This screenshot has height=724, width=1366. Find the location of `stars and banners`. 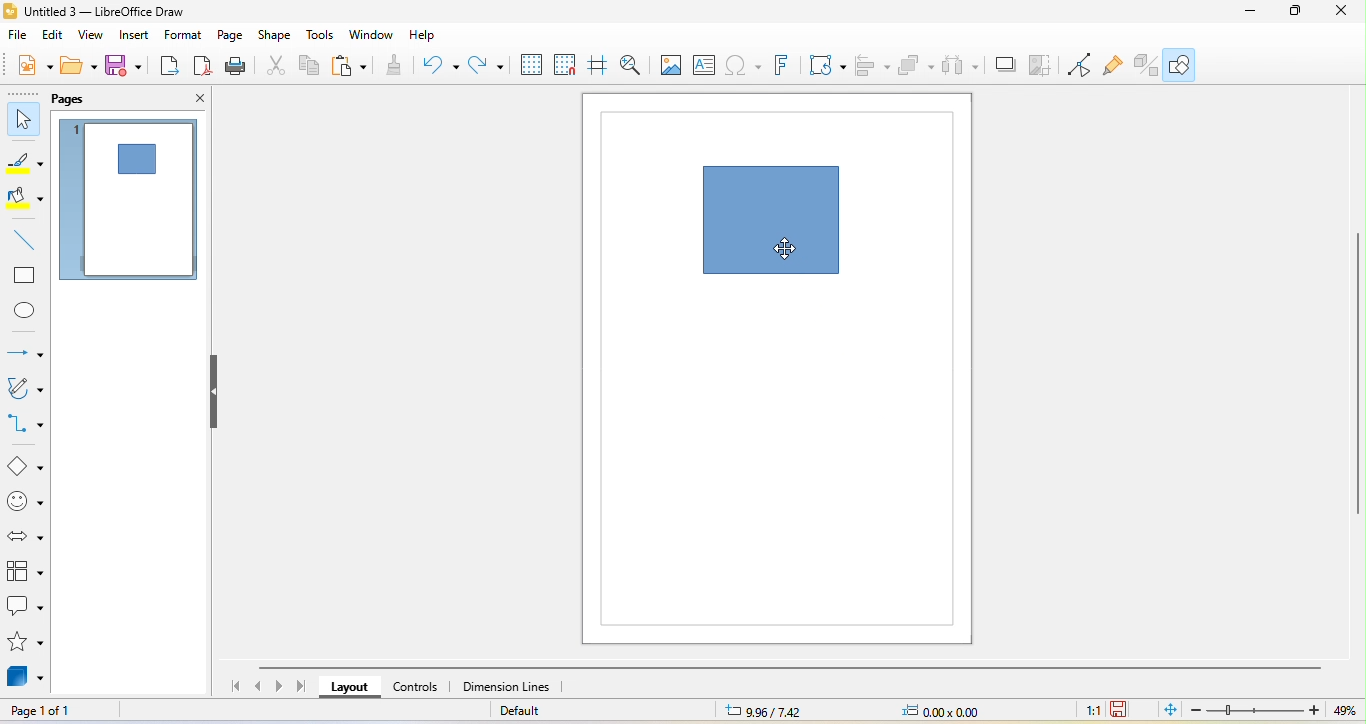

stars and banners is located at coordinates (25, 644).